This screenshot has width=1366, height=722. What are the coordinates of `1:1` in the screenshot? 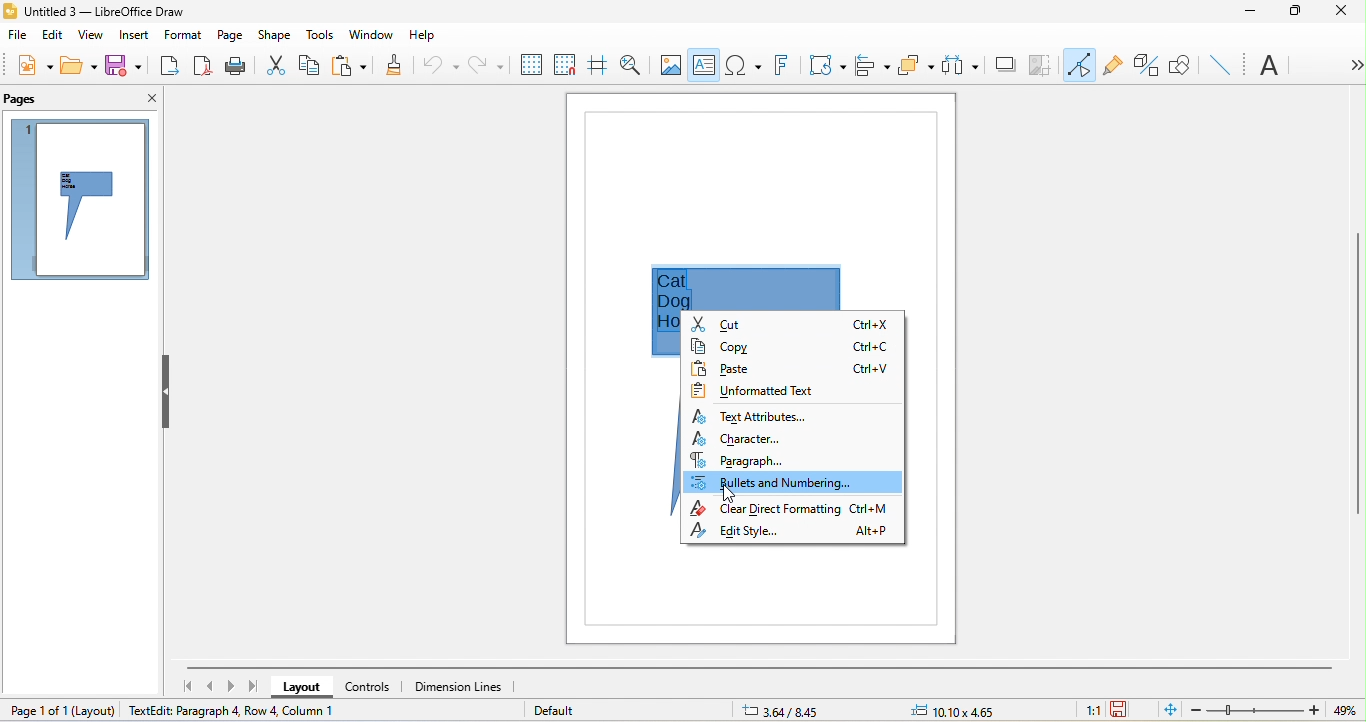 It's located at (1088, 710).